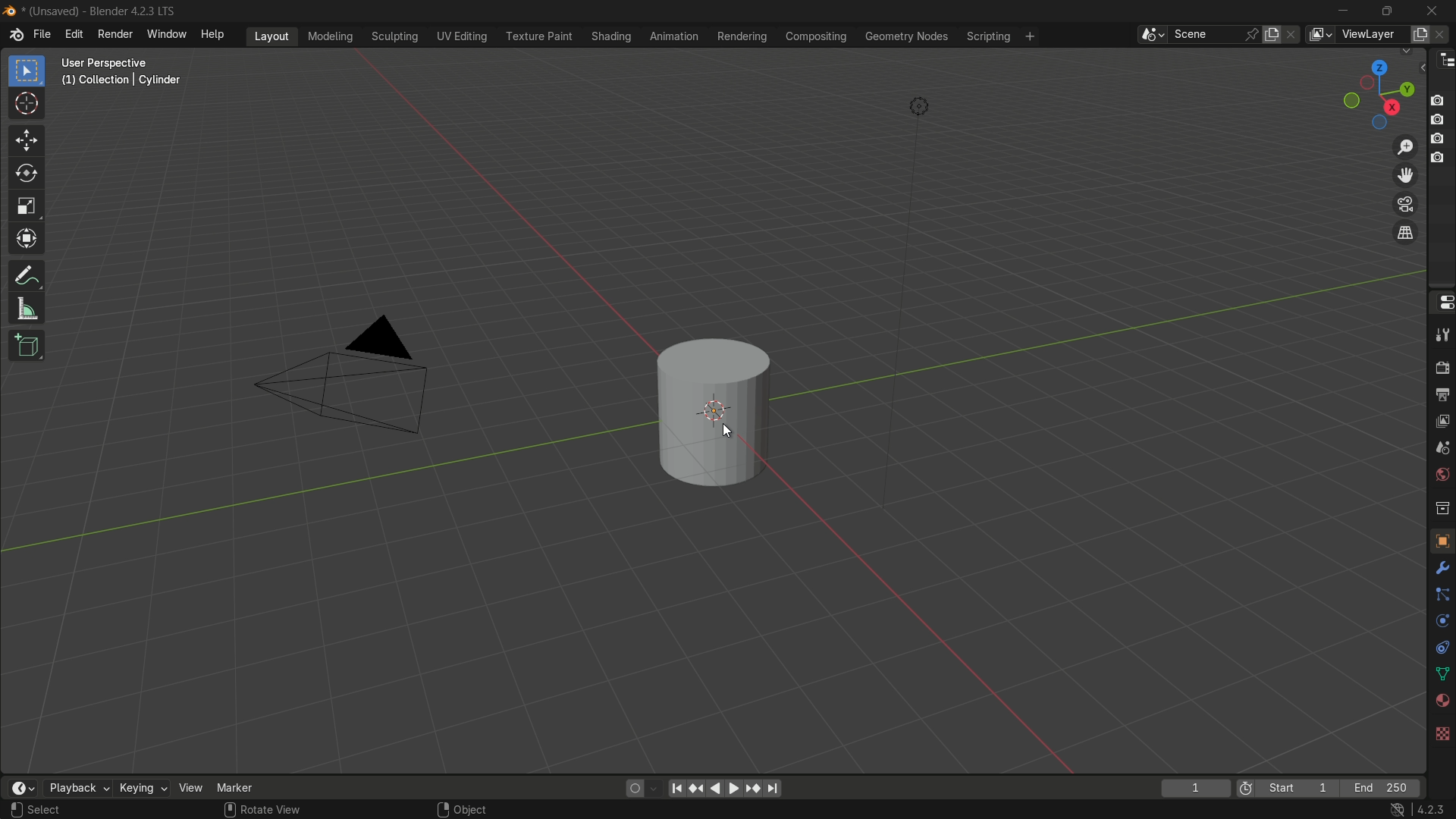  Describe the element at coordinates (77, 787) in the screenshot. I see `playback` at that location.